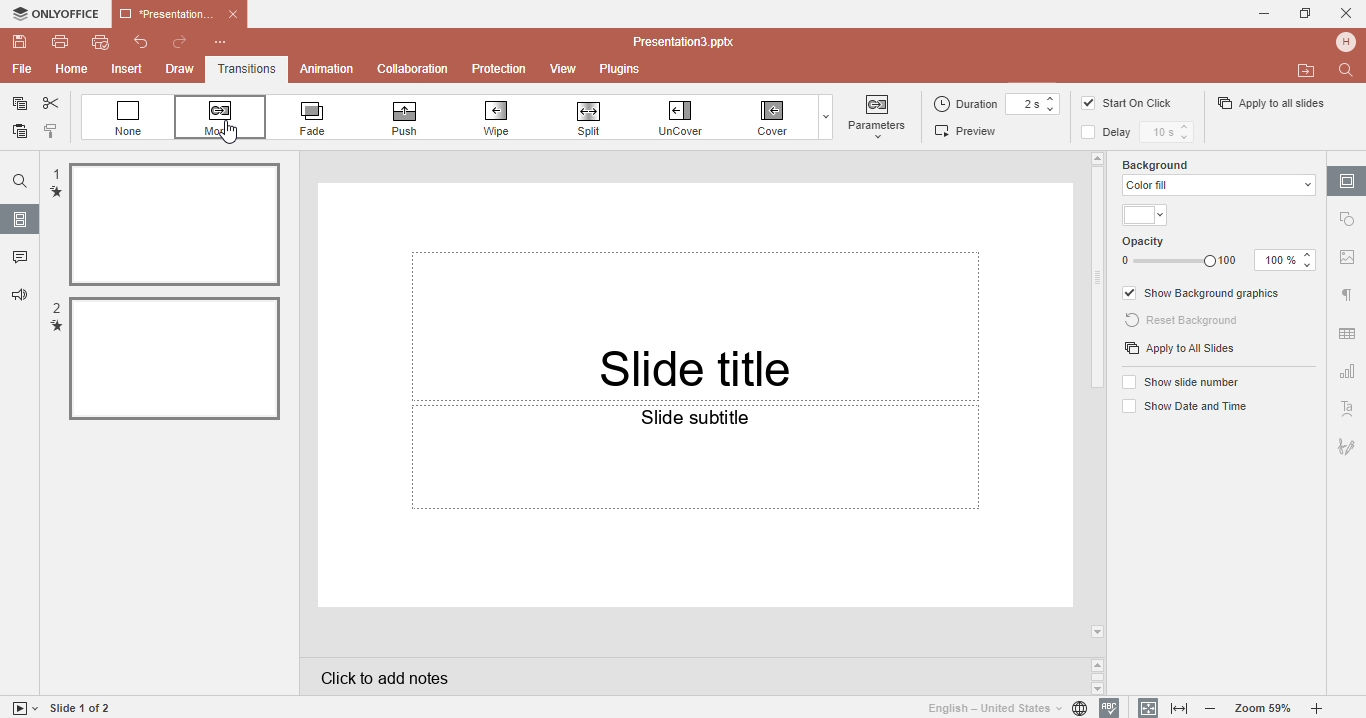  Describe the element at coordinates (999, 104) in the screenshot. I see `Duration` at that location.